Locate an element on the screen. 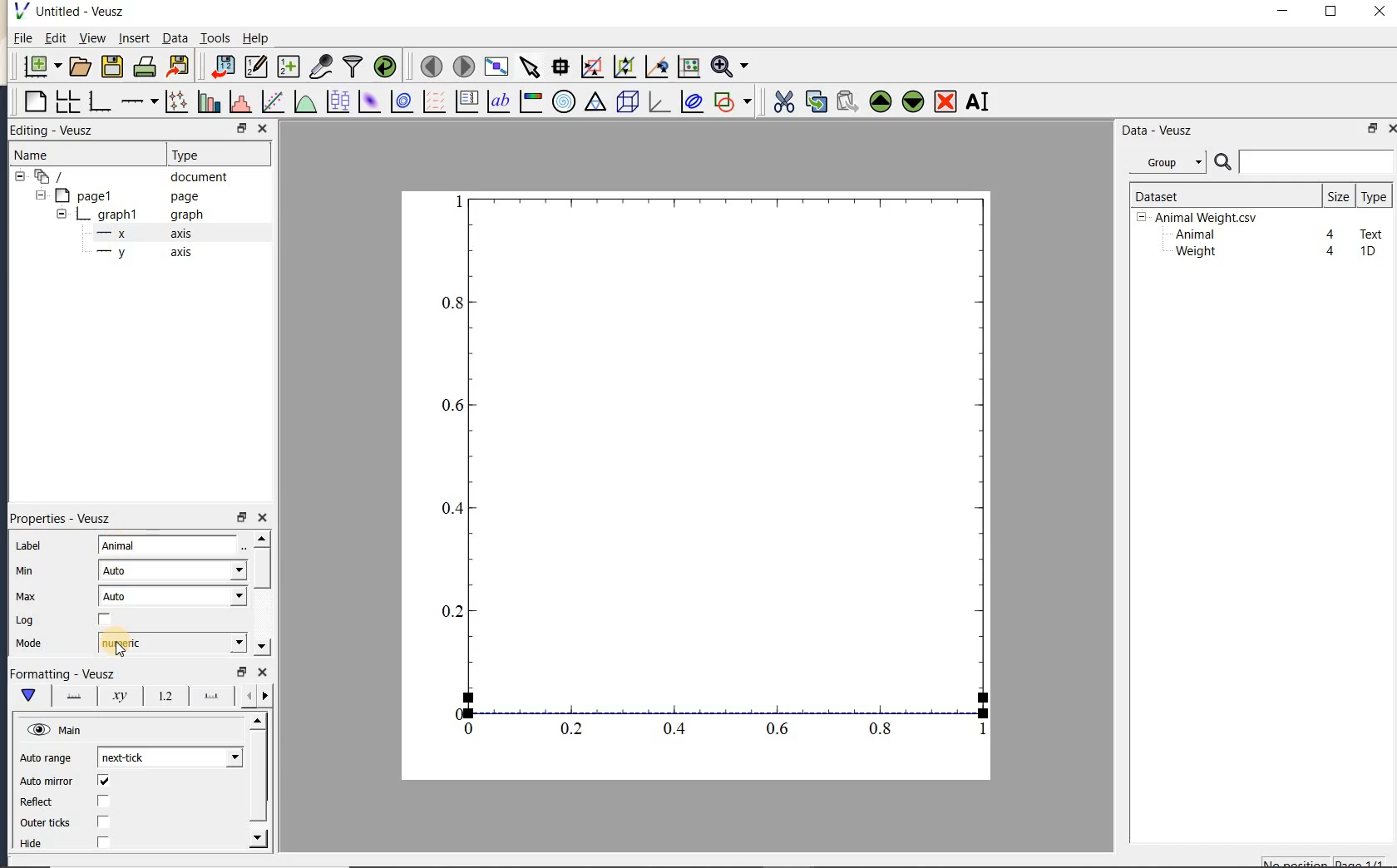 This screenshot has width=1397, height=868. Editing - Veusz is located at coordinates (61, 131).